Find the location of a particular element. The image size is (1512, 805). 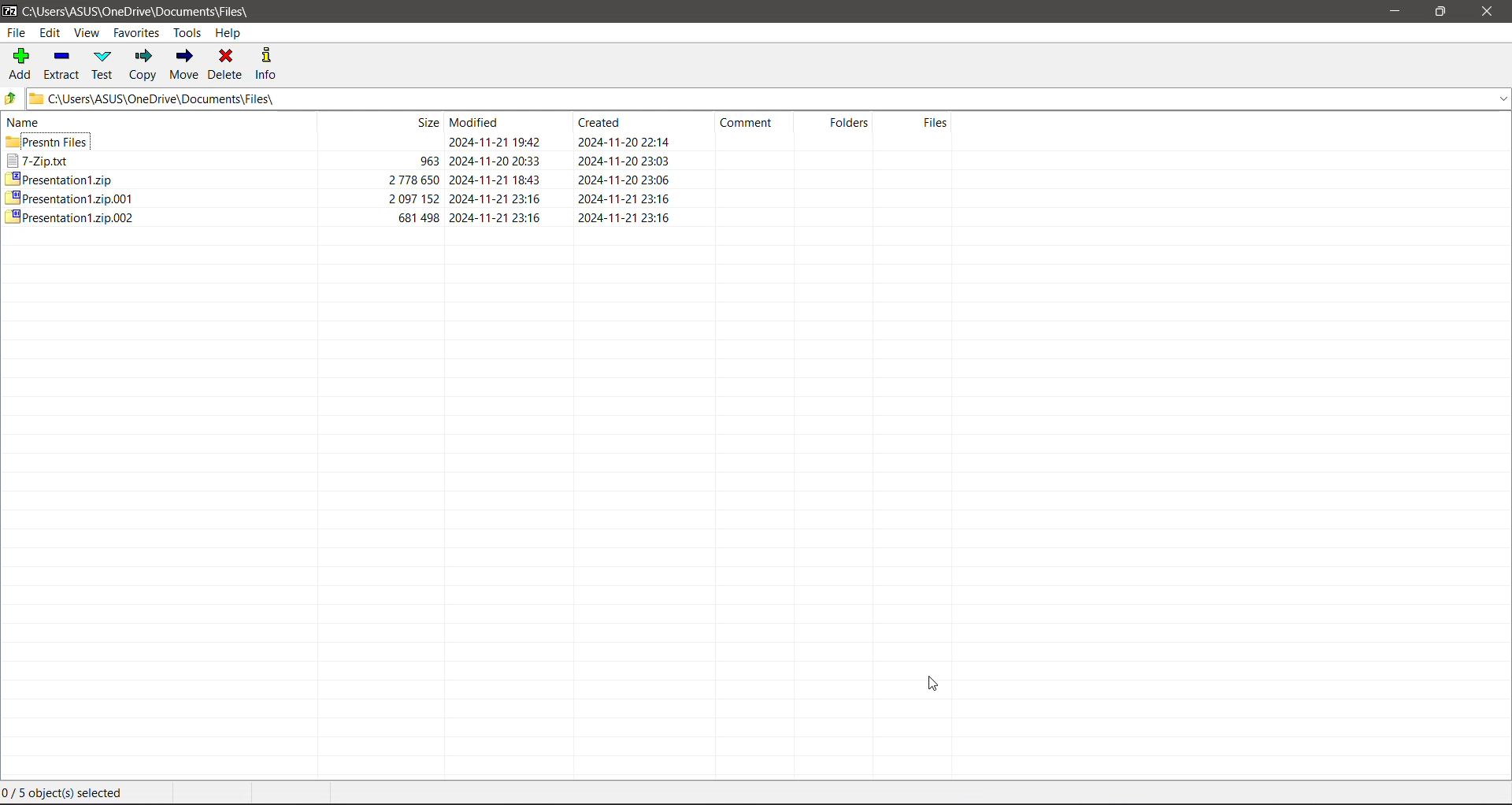

Extract is located at coordinates (62, 65).